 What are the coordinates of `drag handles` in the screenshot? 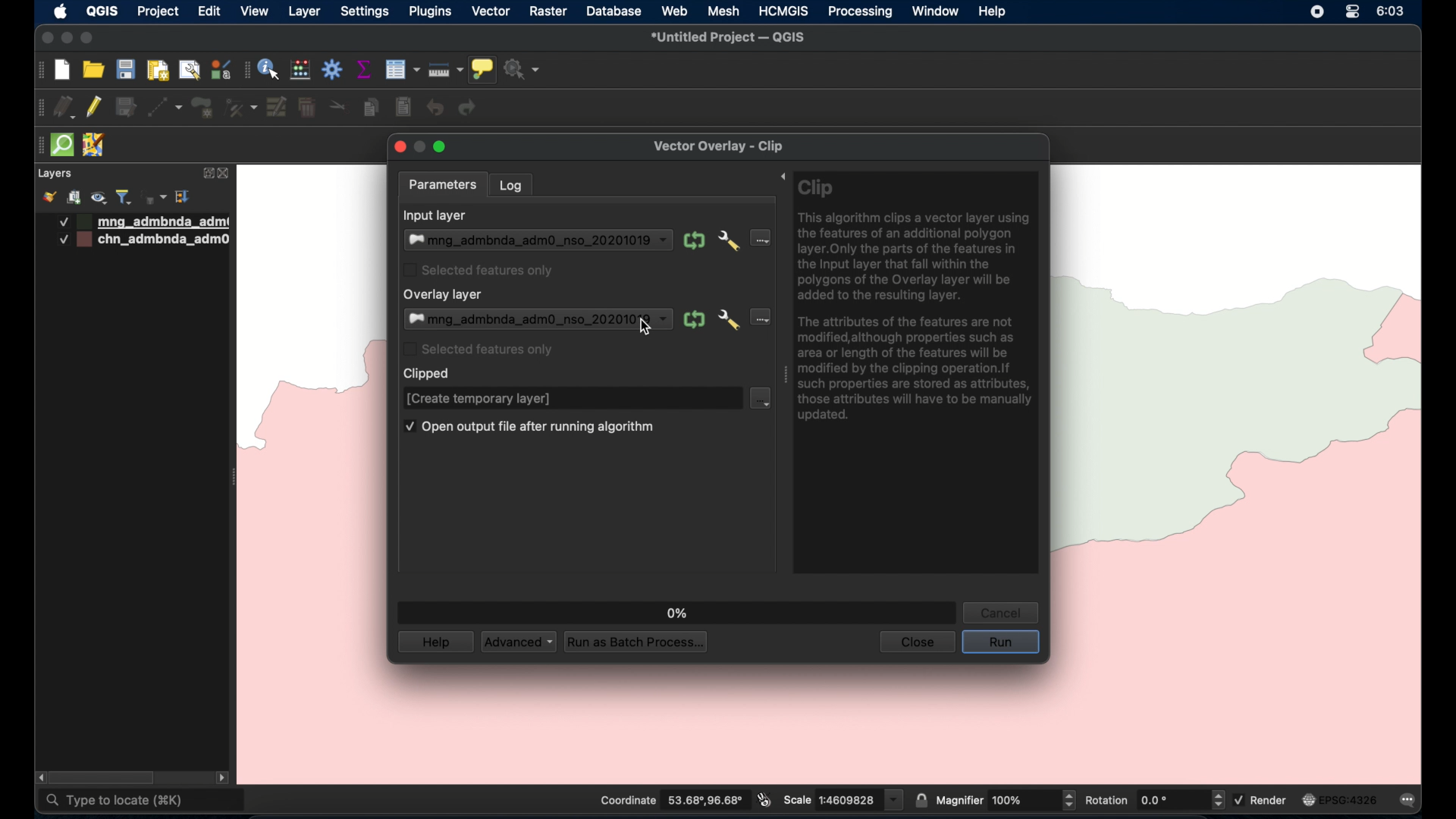 It's located at (41, 108).